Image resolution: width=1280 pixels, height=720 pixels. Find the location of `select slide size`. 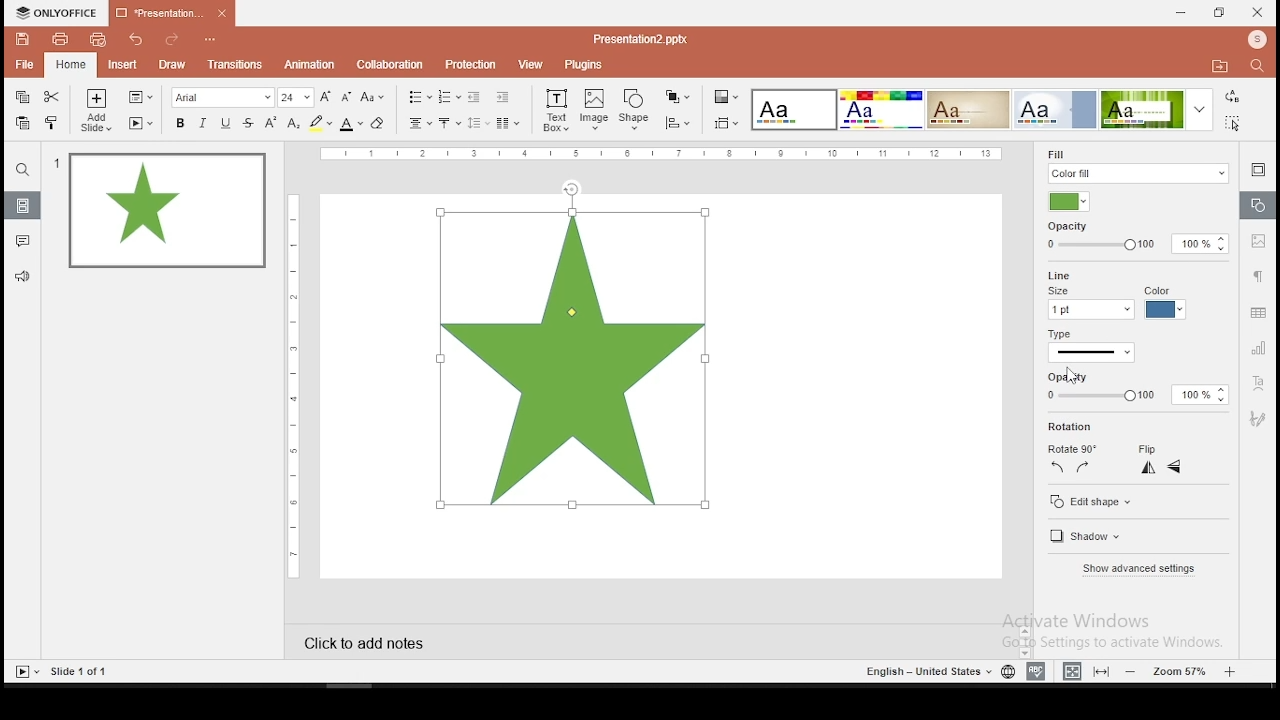

select slide size is located at coordinates (726, 123).